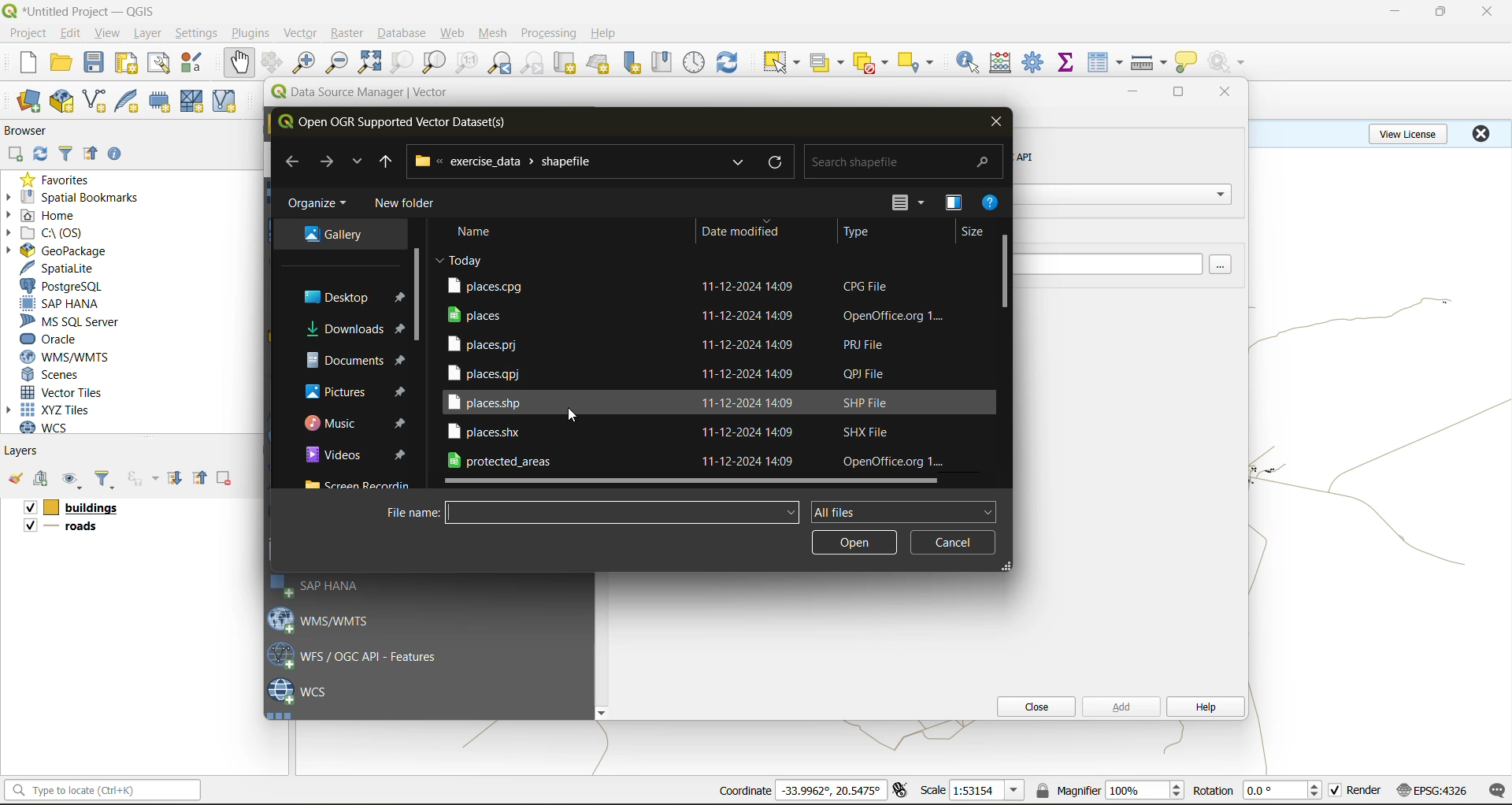 The image size is (1512, 805). I want to click on database, so click(406, 35).